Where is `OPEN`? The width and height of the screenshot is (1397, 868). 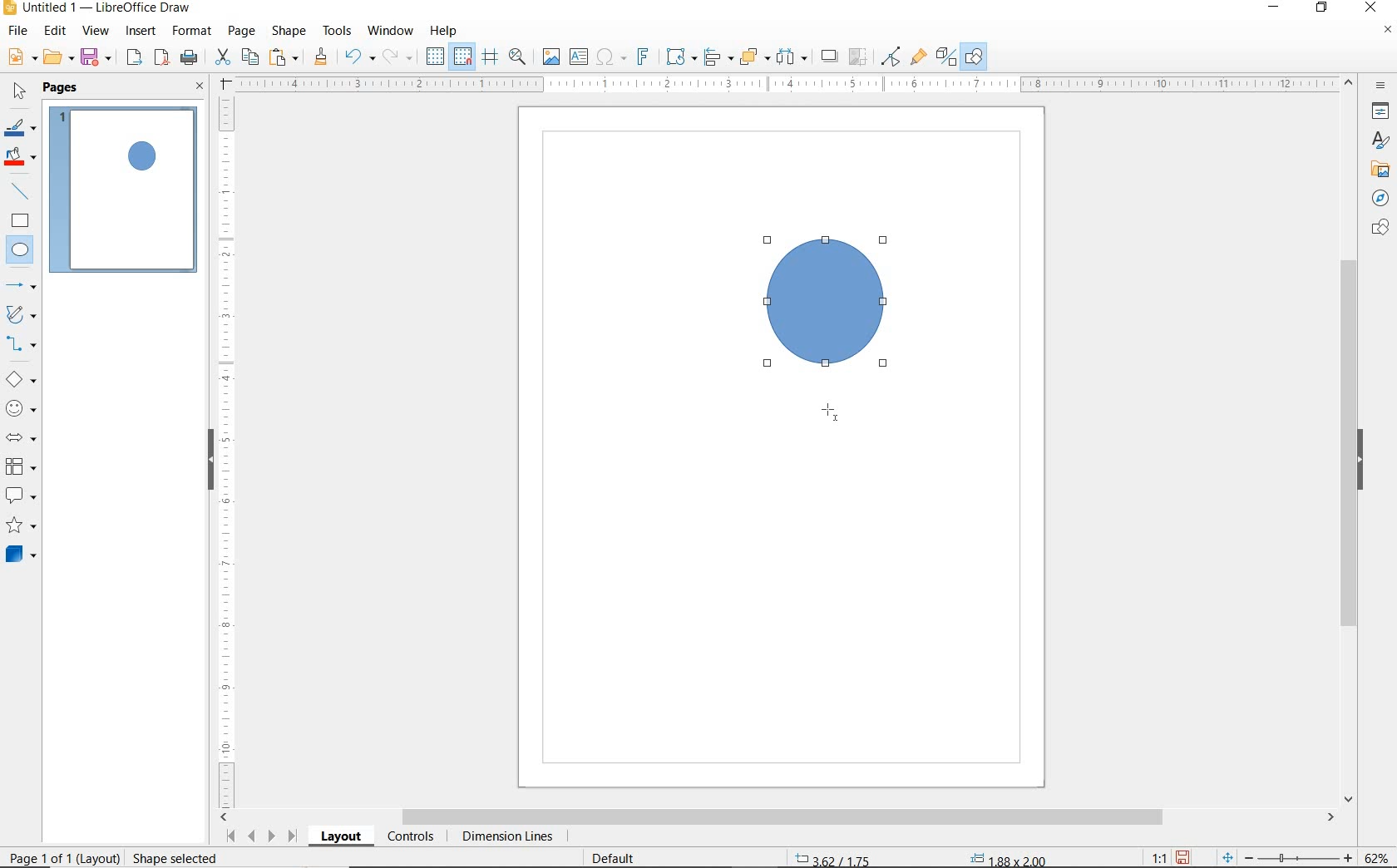 OPEN is located at coordinates (58, 59).